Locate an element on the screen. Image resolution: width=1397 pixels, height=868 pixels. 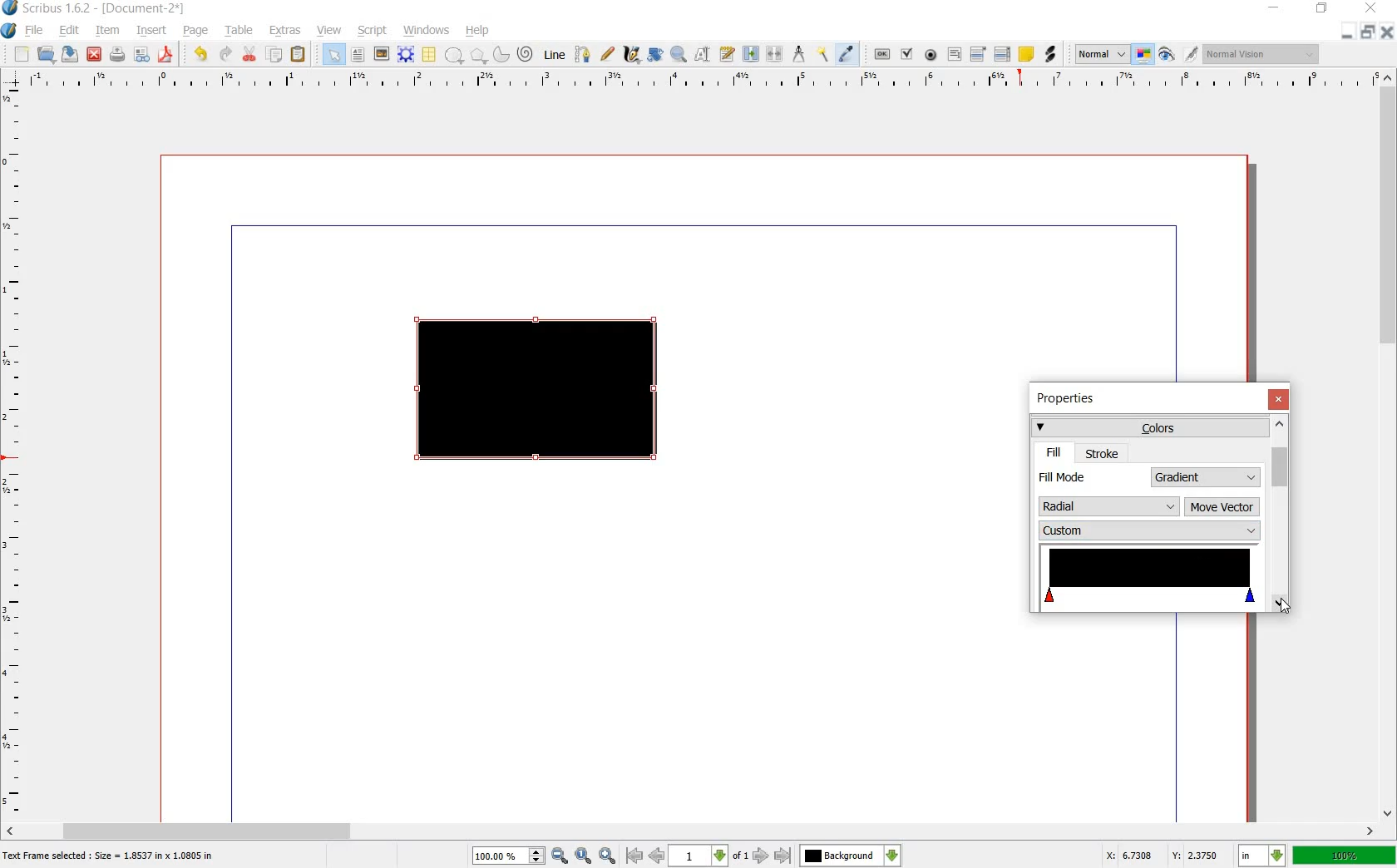
preview mode is located at coordinates (1167, 54).